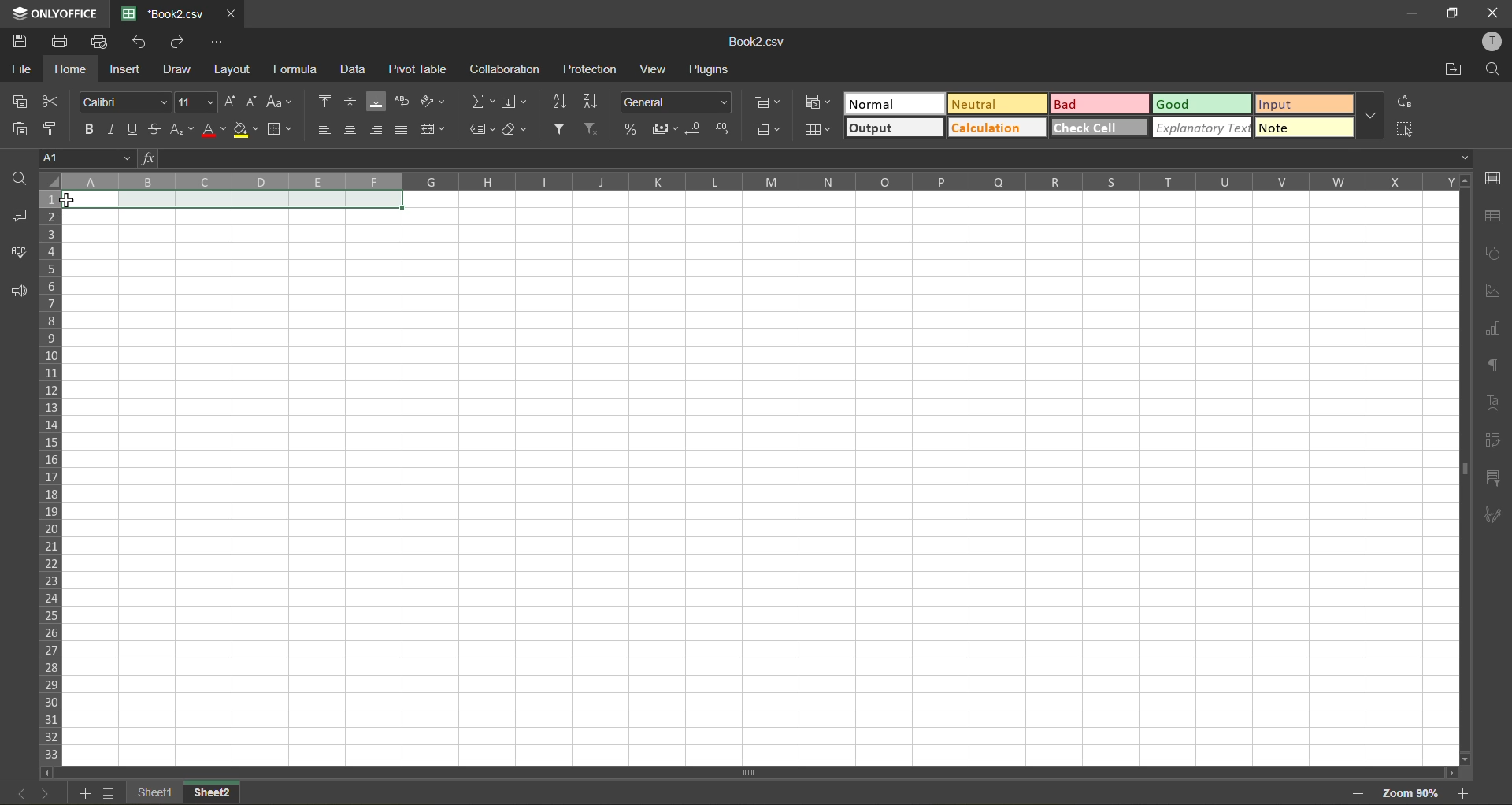 Image resolution: width=1512 pixels, height=805 pixels. Describe the element at coordinates (1373, 117) in the screenshot. I see `more options` at that location.